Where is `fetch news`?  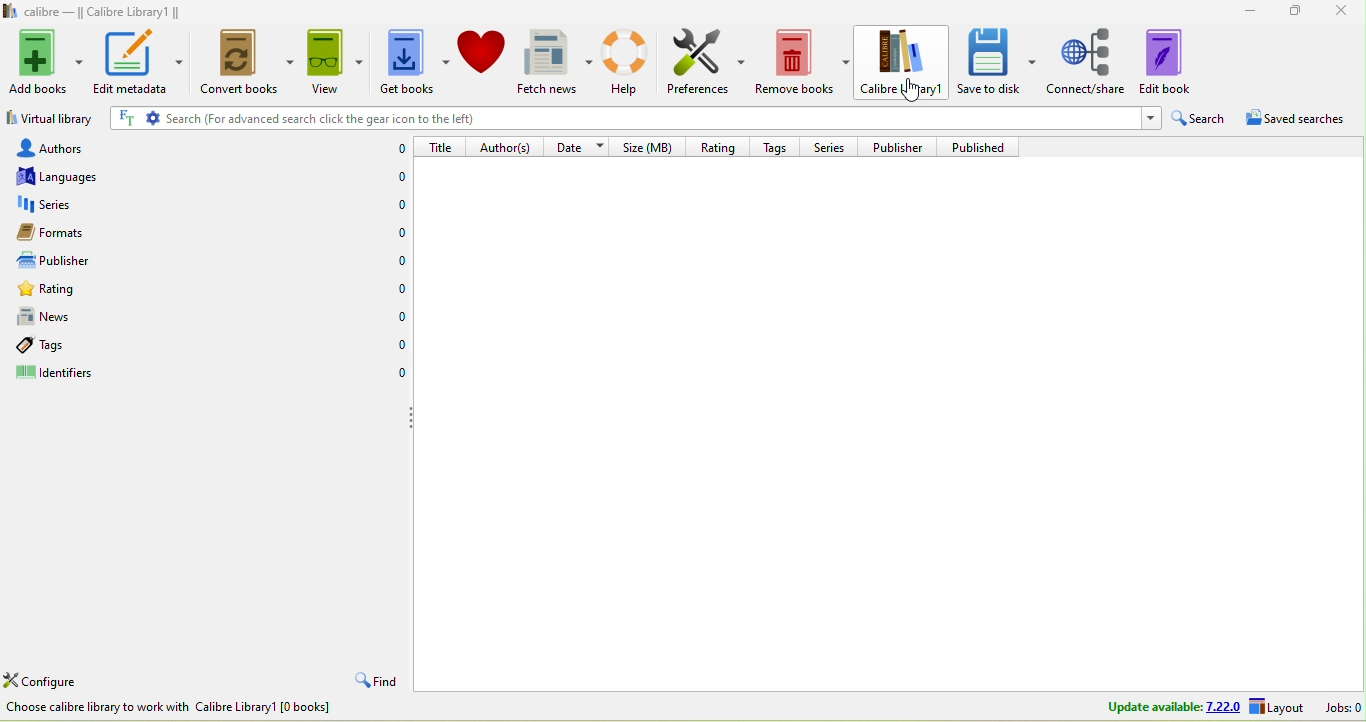 fetch news is located at coordinates (557, 62).